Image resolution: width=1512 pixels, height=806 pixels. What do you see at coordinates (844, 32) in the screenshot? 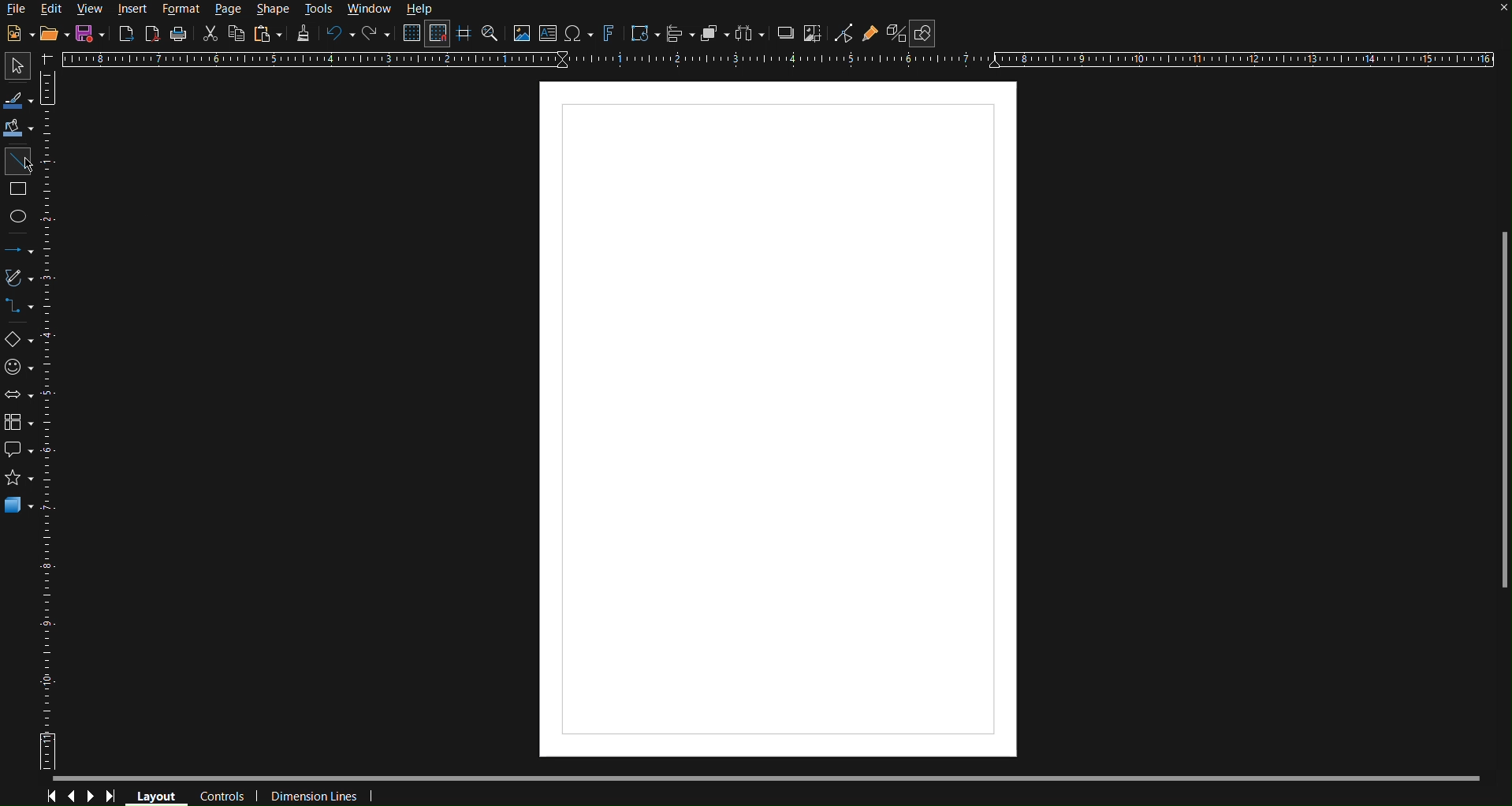
I see `Toggle Point Edit Mode` at bounding box center [844, 32].